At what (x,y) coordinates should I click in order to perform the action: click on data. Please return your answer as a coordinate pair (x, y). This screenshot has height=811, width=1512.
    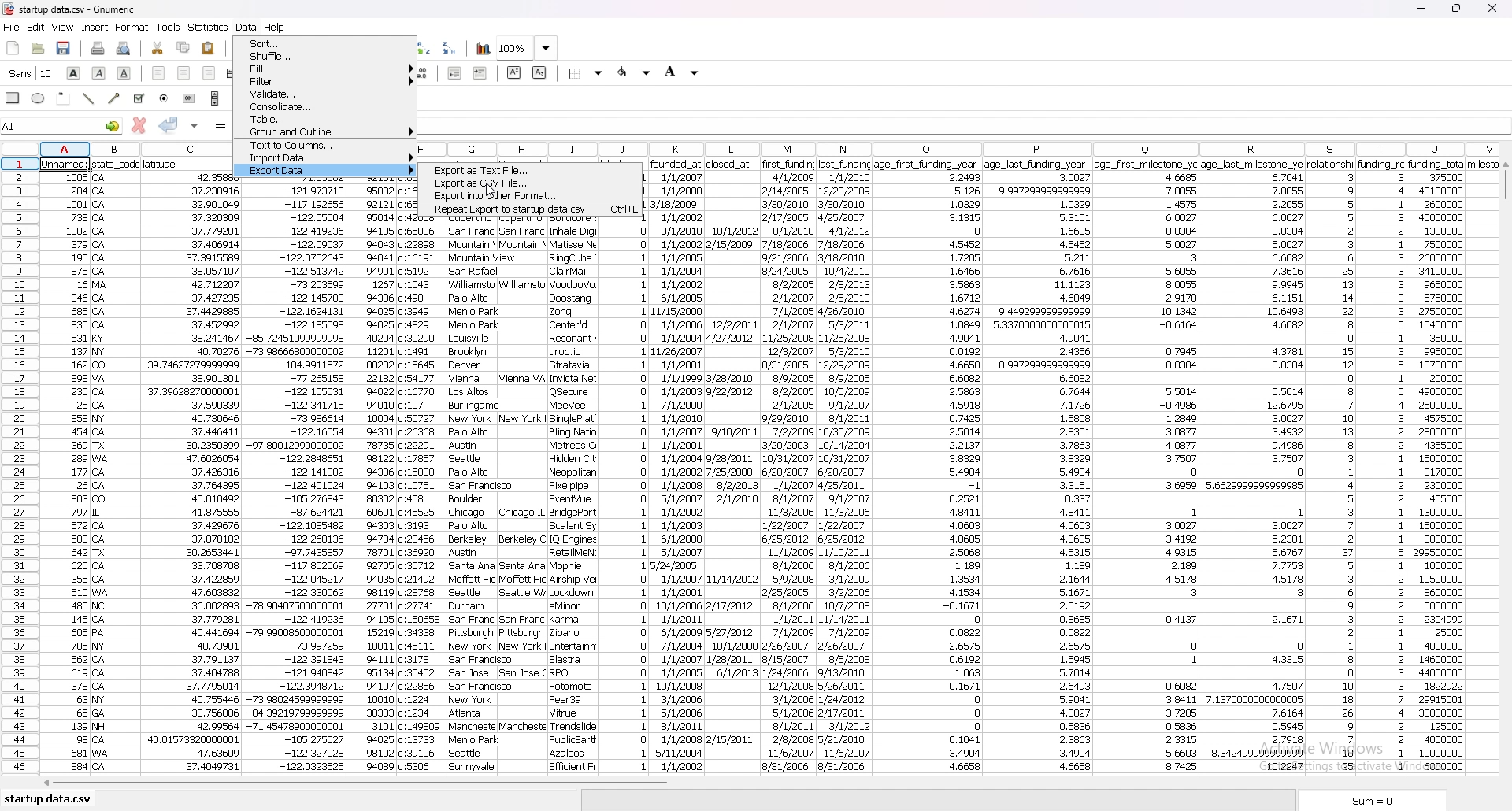
    Looking at the image, I should click on (731, 462).